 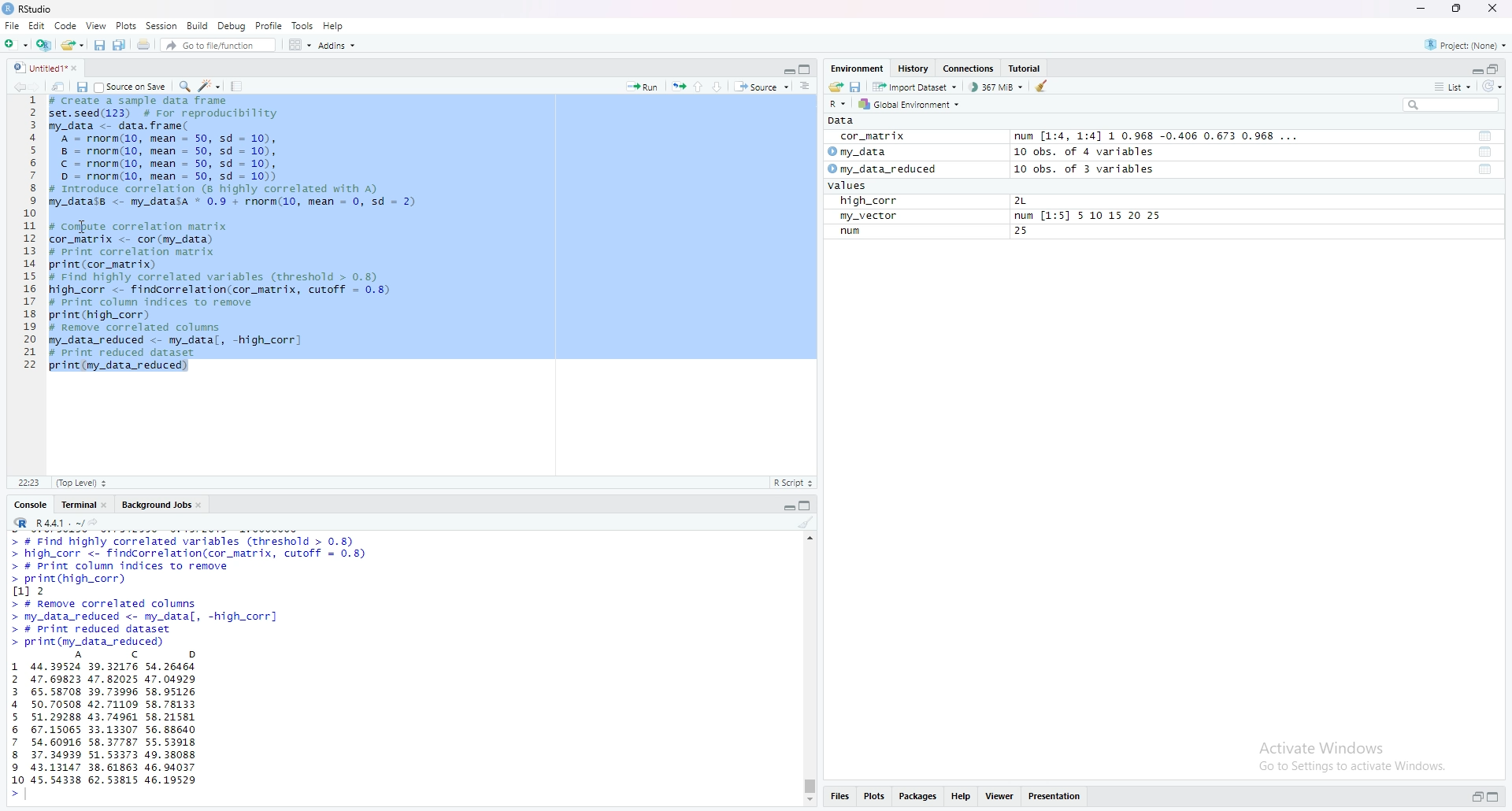 I want to click on Connections , so click(x=970, y=68).